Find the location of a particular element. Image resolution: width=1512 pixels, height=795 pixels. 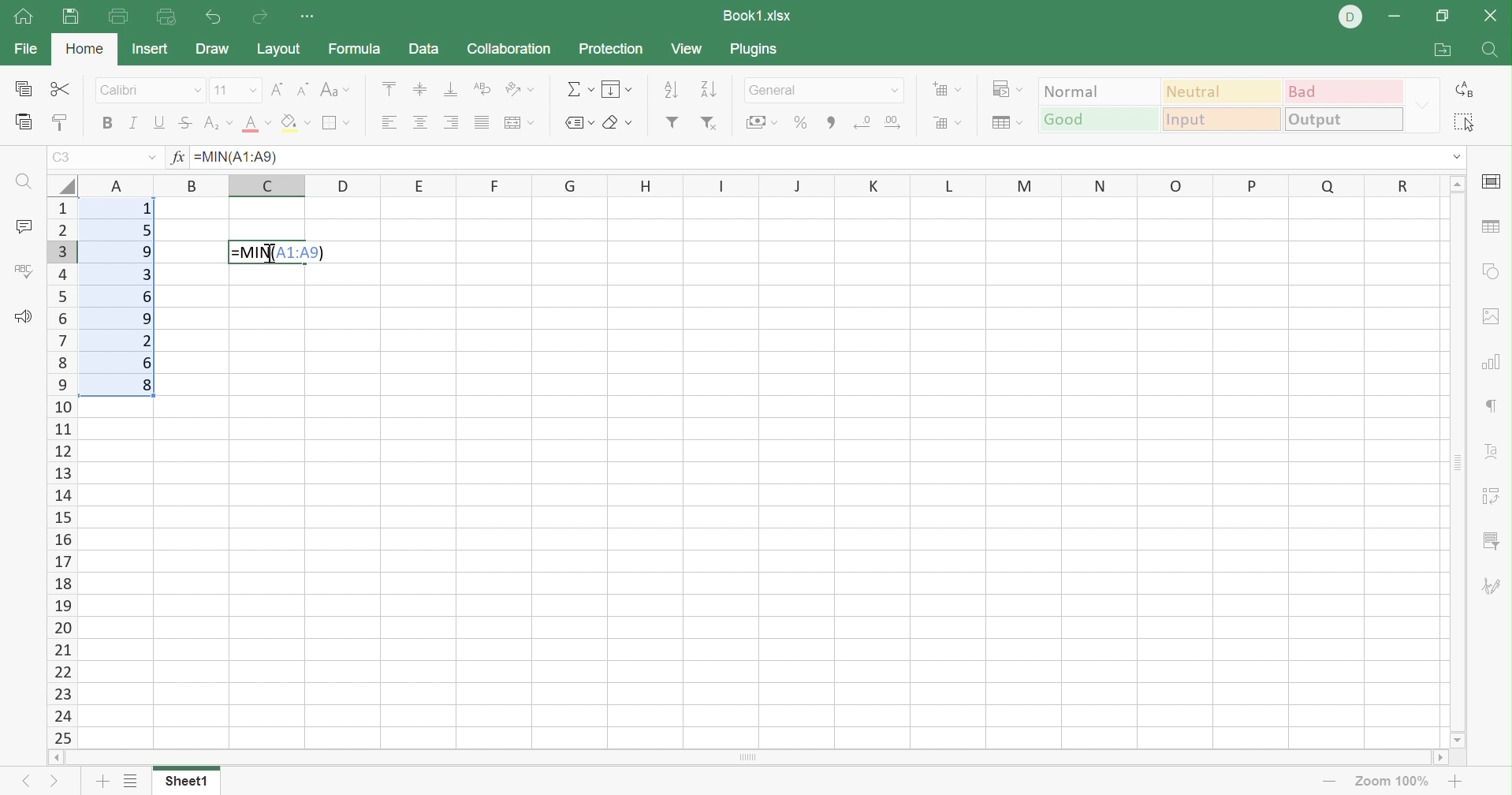

Home is located at coordinates (25, 19).